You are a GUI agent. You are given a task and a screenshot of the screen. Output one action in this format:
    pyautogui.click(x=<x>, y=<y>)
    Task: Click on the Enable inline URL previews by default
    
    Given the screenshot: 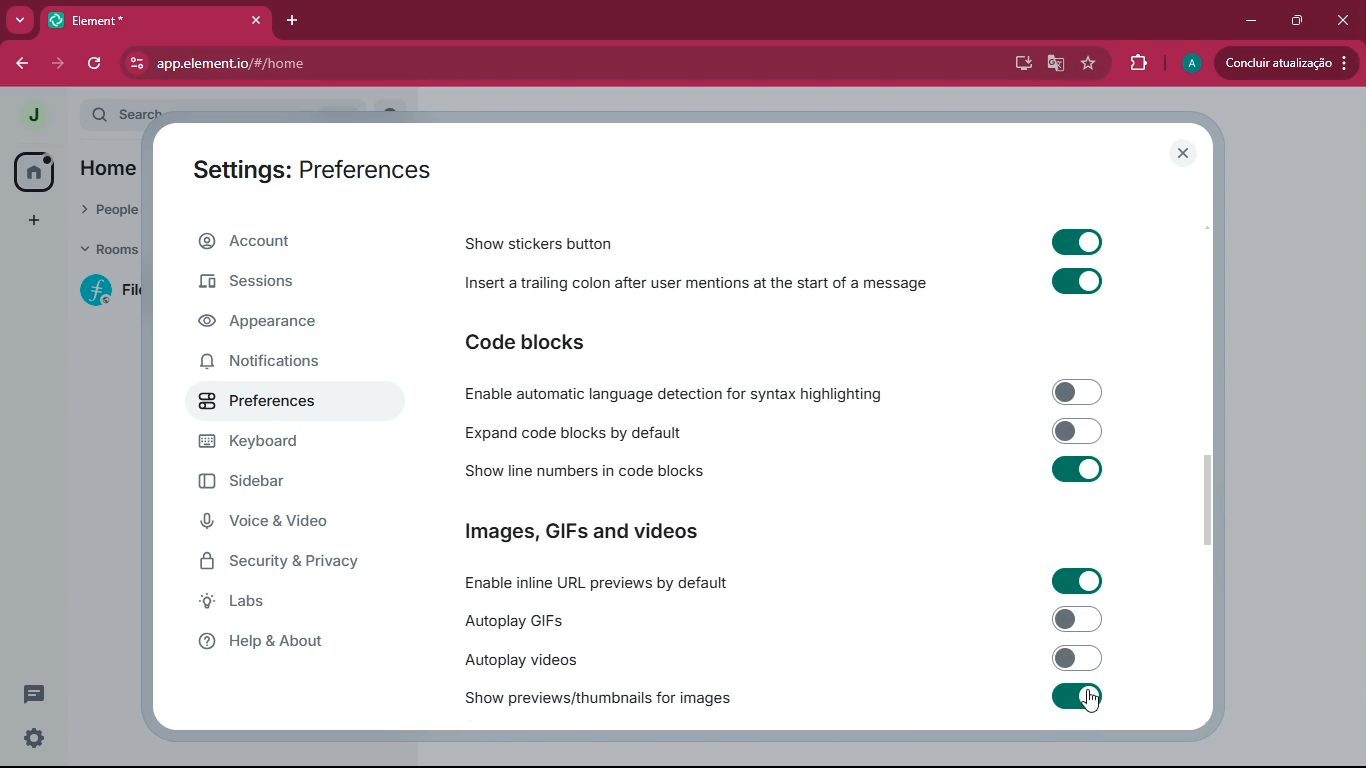 What is the action you would take?
    pyautogui.click(x=597, y=585)
    